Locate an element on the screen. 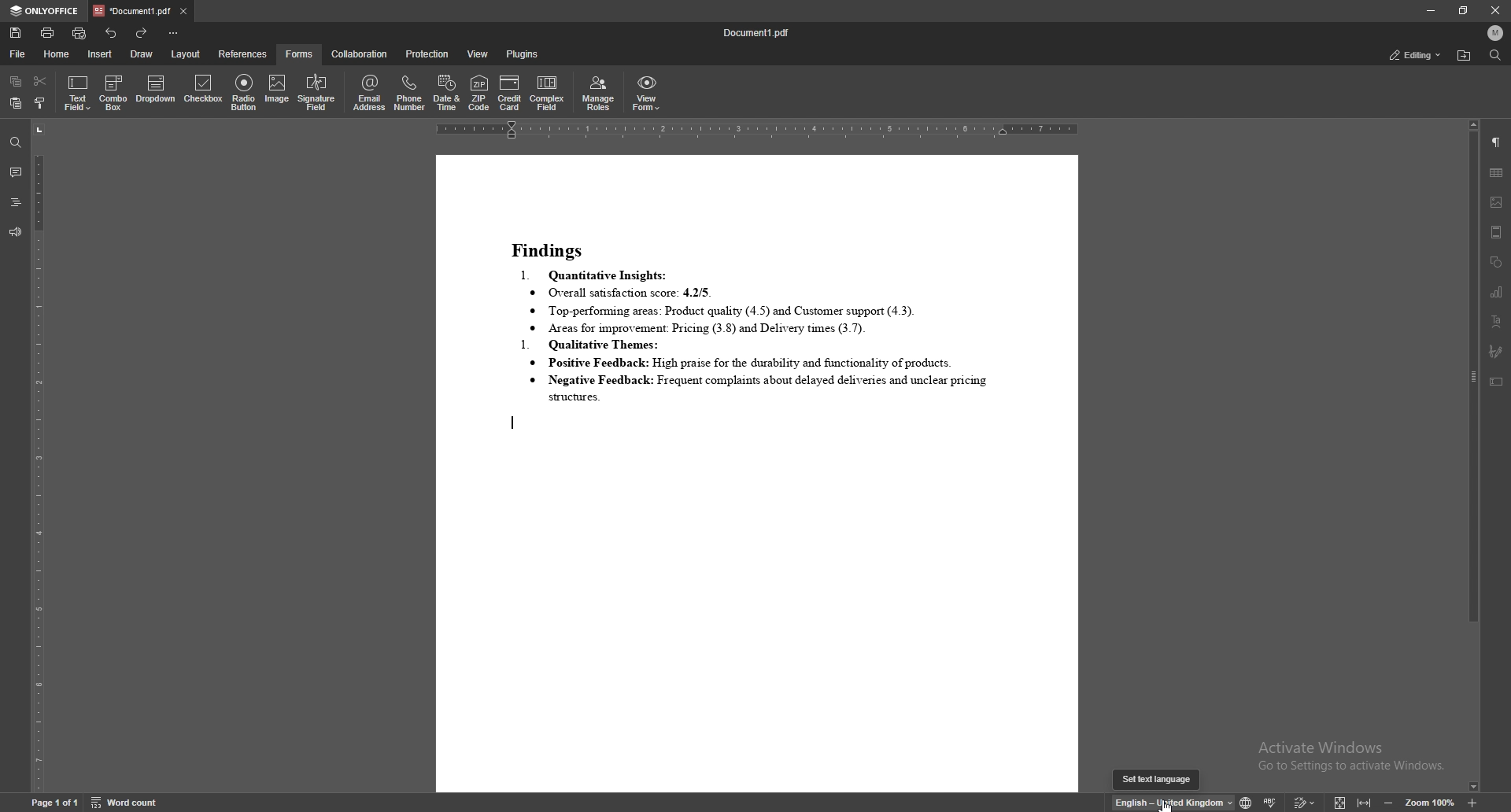 Image resolution: width=1511 pixels, height=812 pixels. change text language is located at coordinates (1173, 803).